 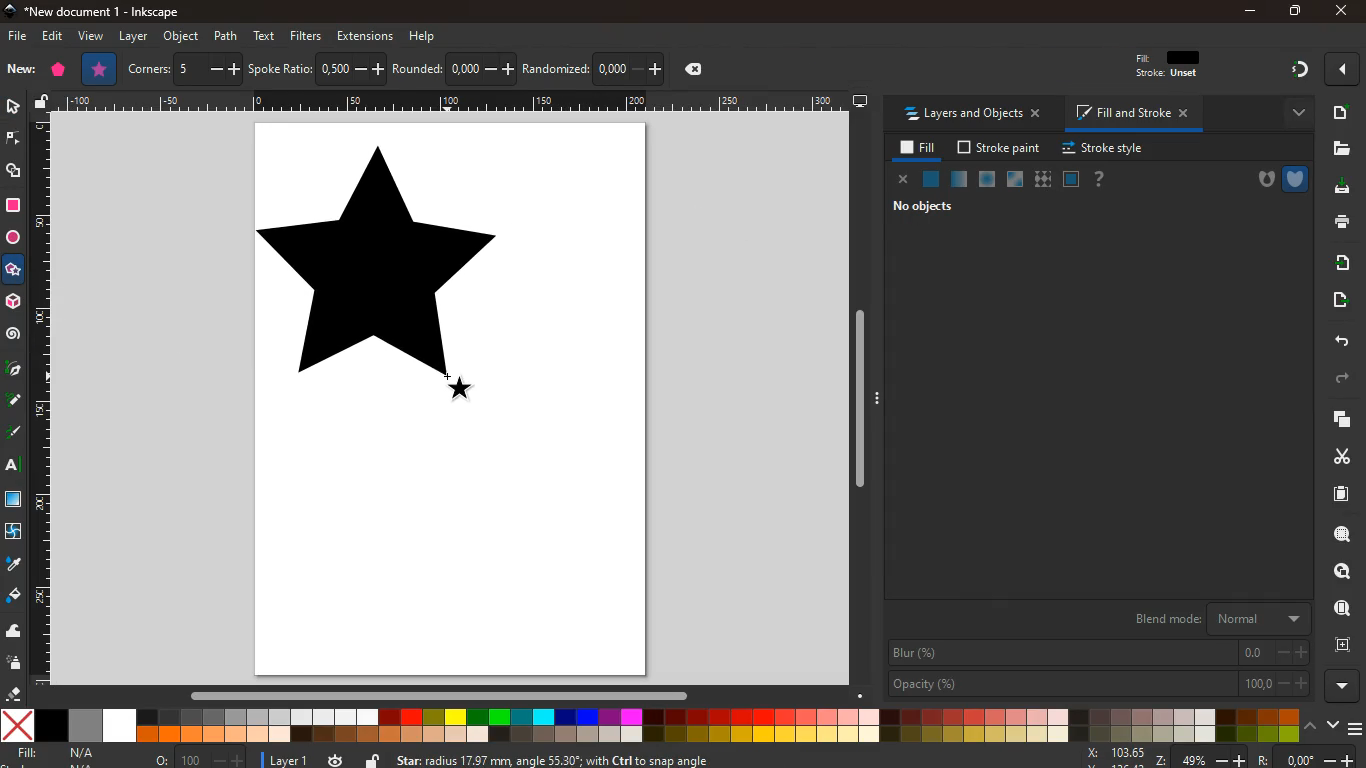 I want to click on unlock, so click(x=372, y=759).